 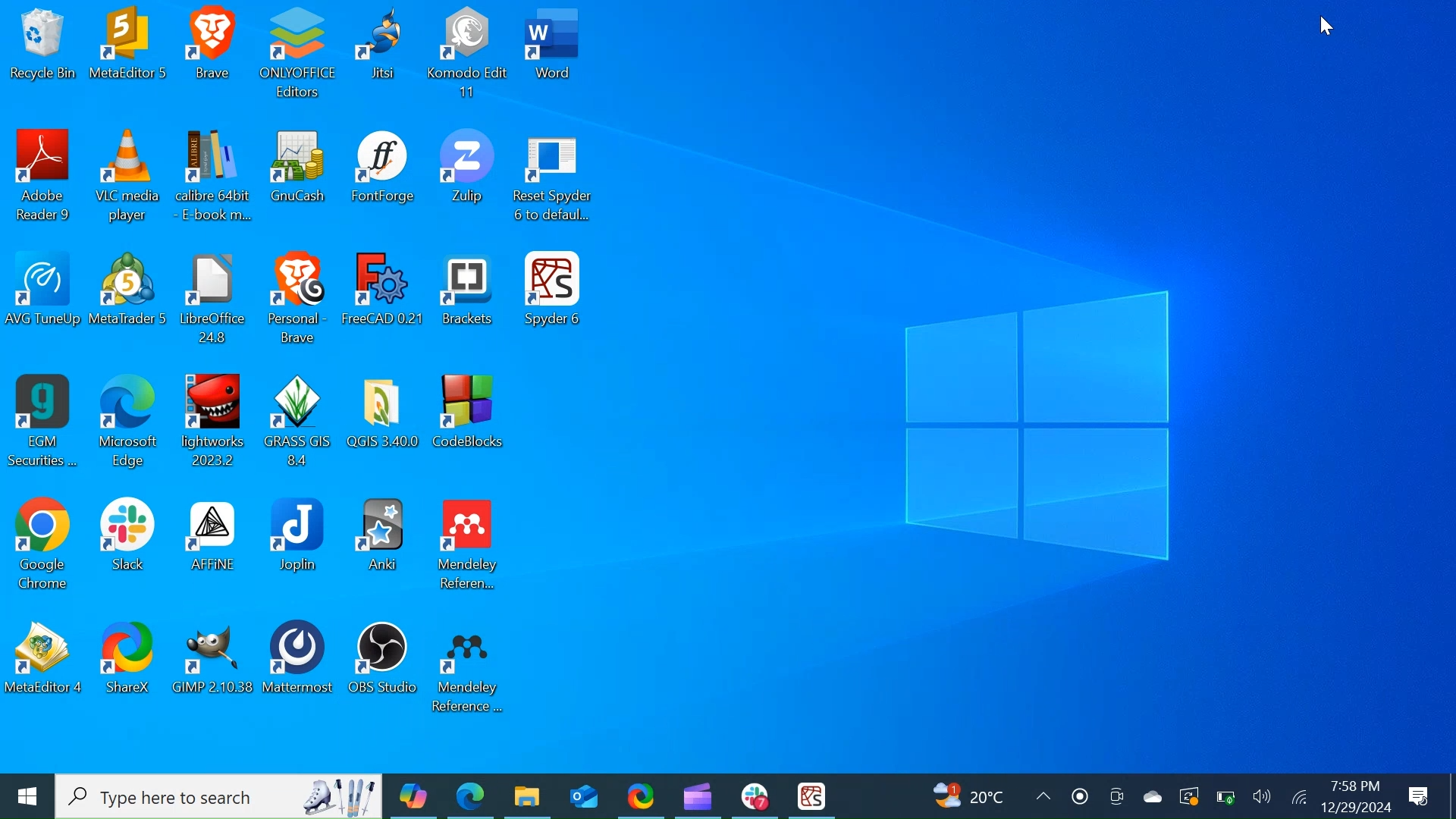 What do you see at coordinates (381, 664) in the screenshot?
I see `OBS Studio Desktop icon` at bounding box center [381, 664].